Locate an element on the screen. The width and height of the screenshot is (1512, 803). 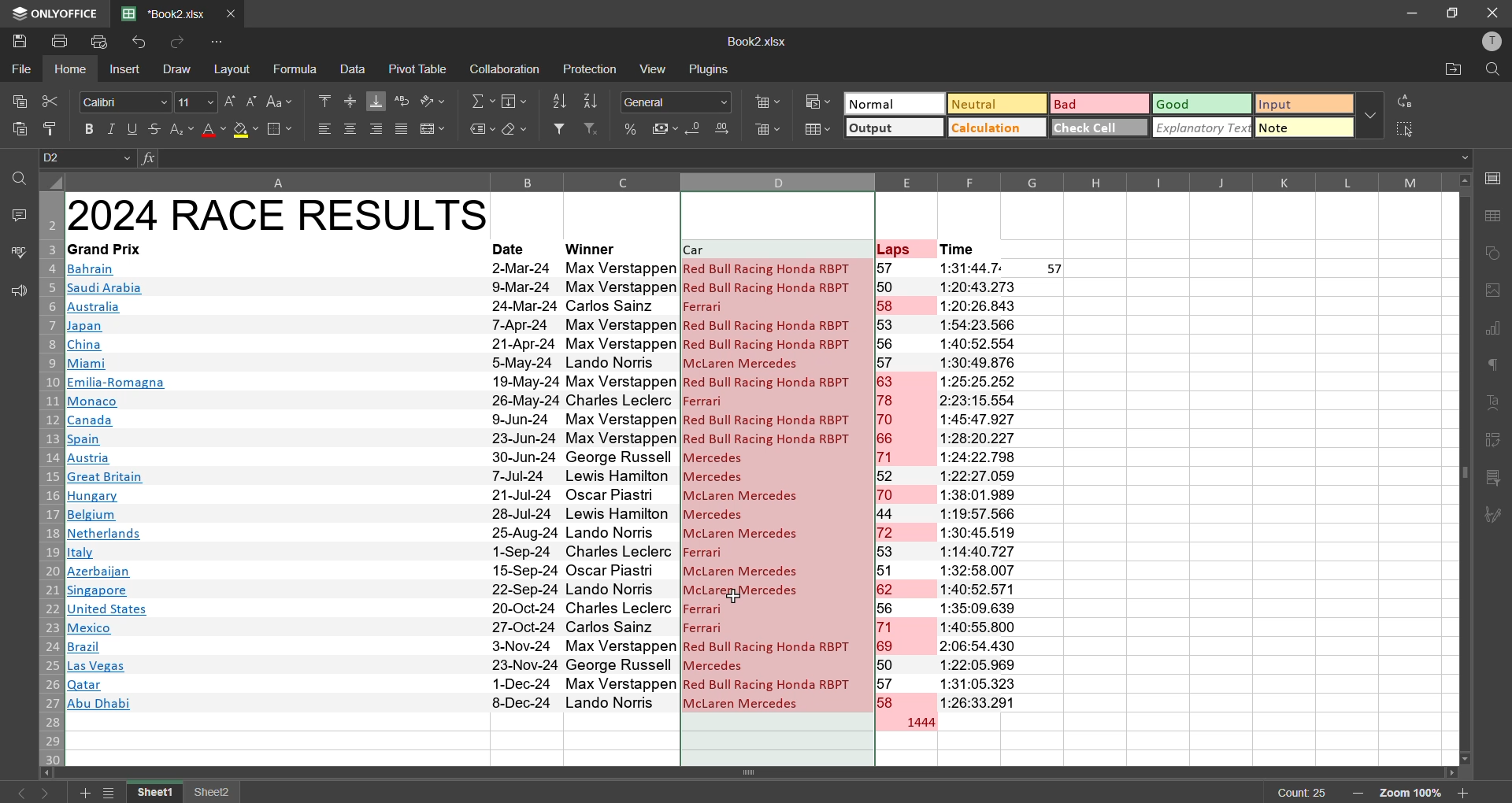
wrap text is located at coordinates (402, 102).